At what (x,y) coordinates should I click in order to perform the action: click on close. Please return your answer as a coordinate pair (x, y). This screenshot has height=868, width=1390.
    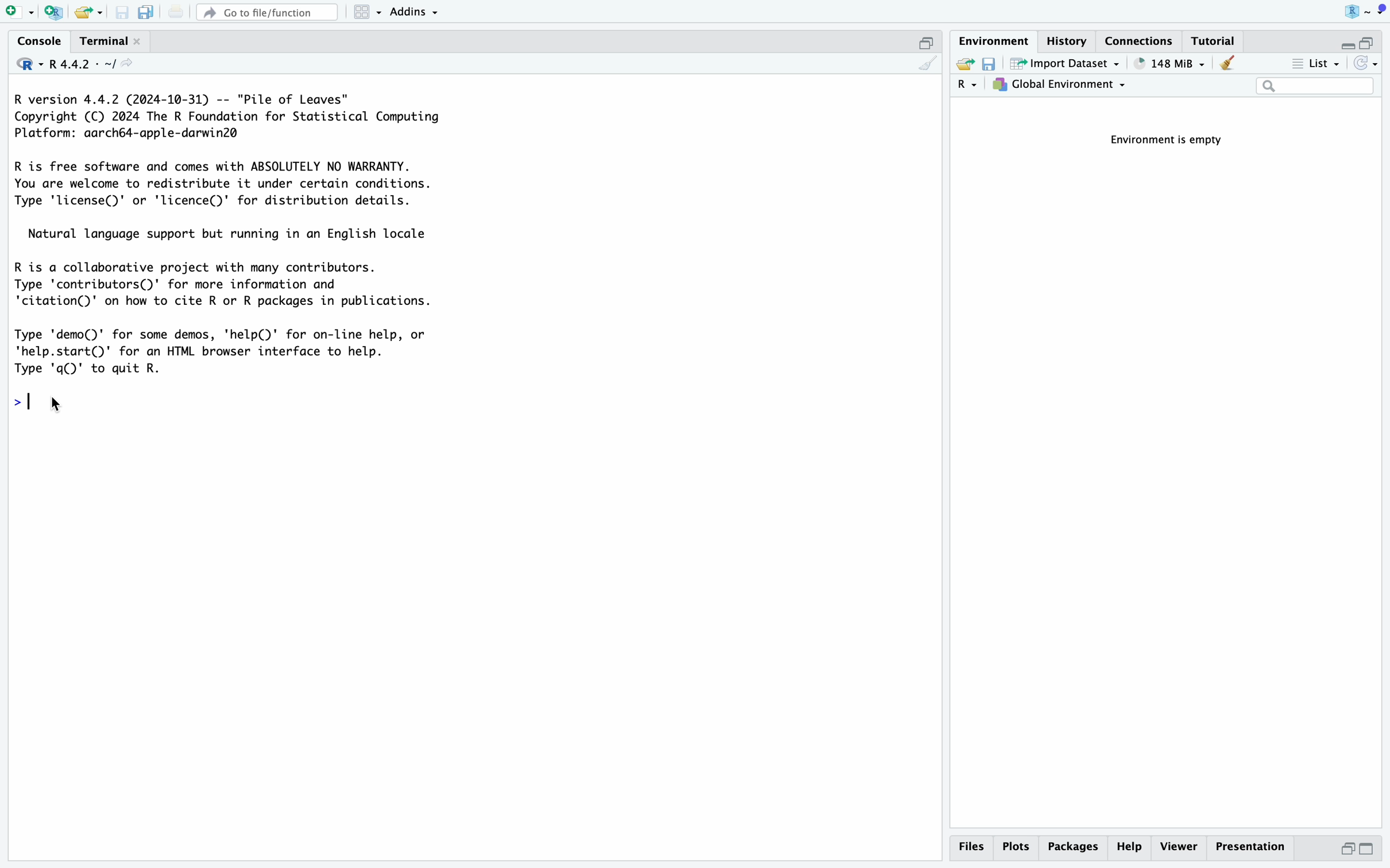
    Looking at the image, I should click on (140, 41).